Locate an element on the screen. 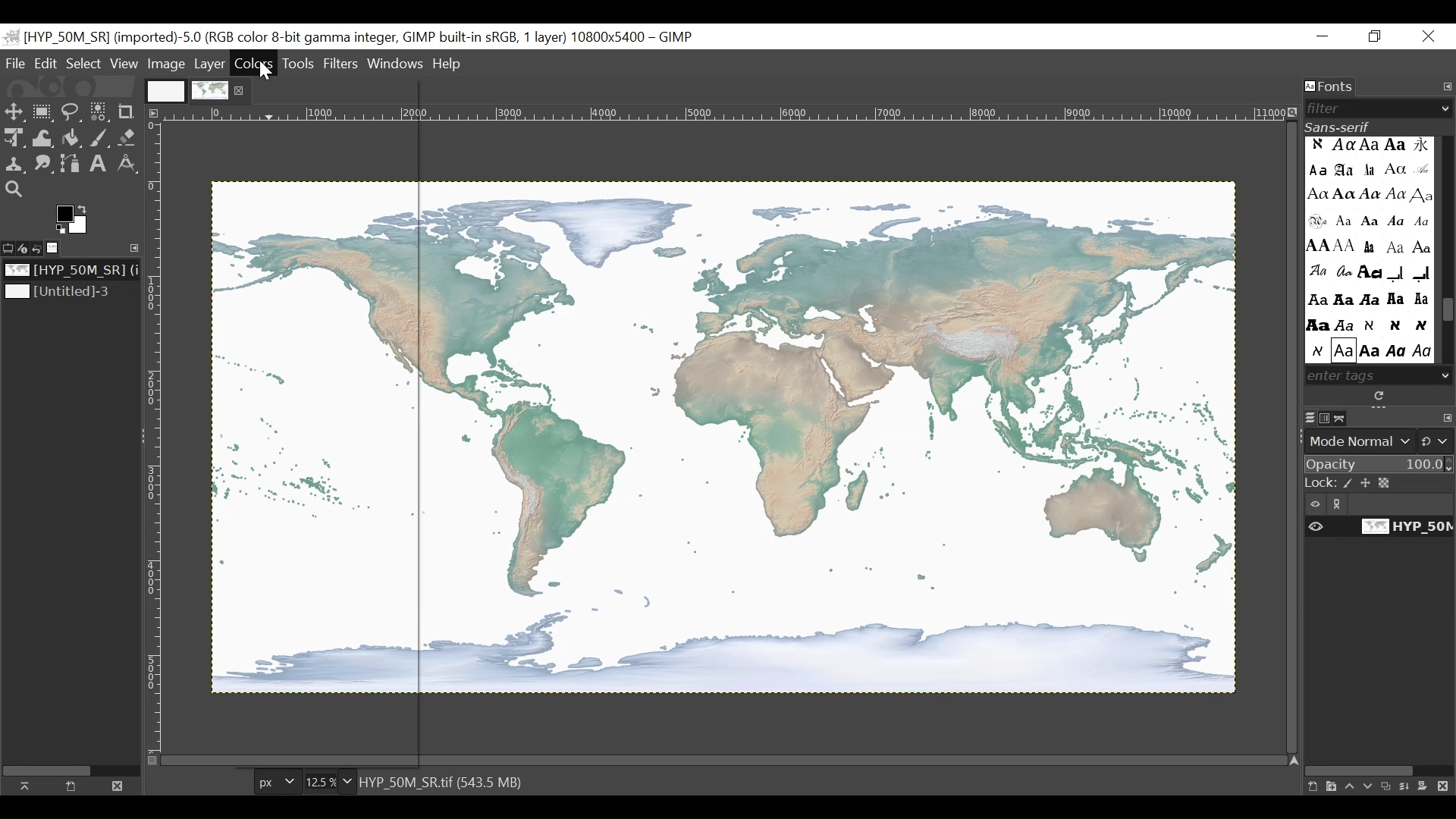 This screenshot has width=1456, height=819. Rectangle Select tool is located at coordinates (43, 113).